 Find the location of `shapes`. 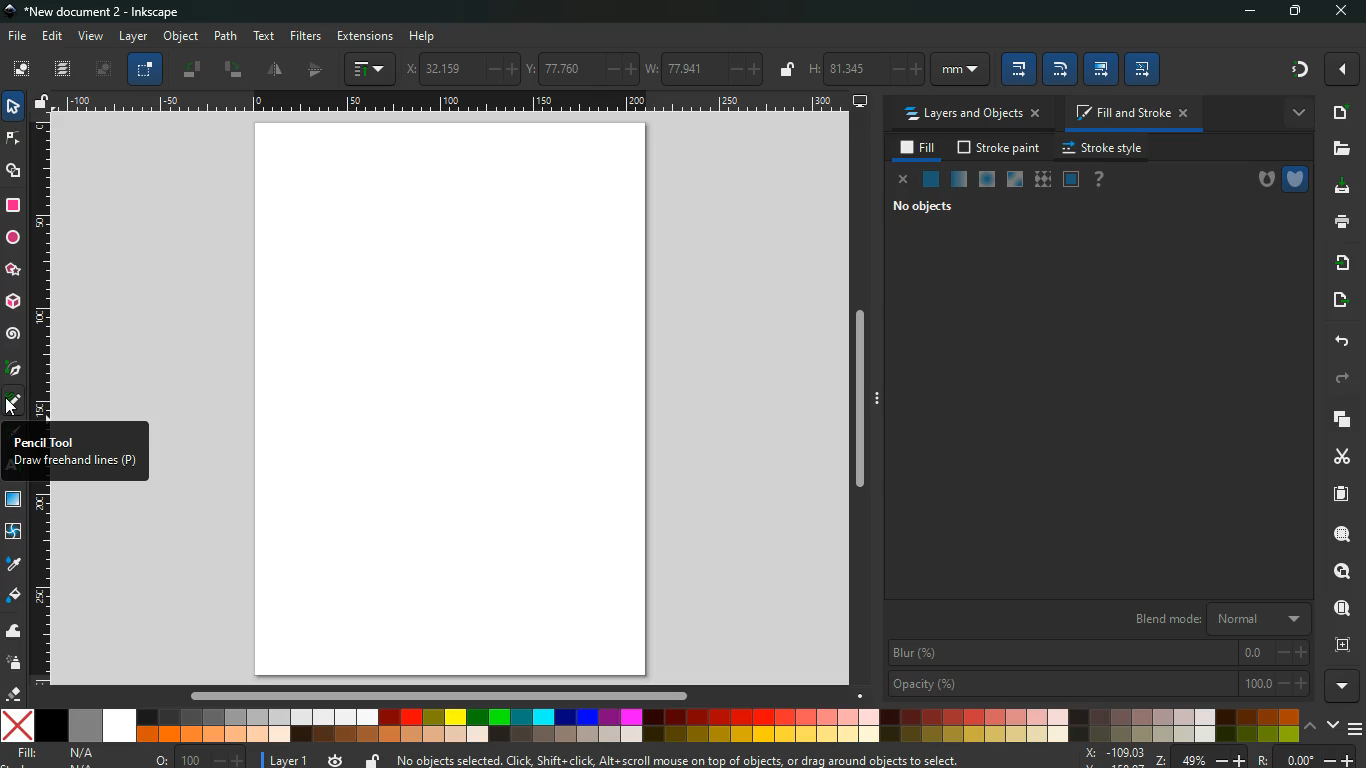

shapes is located at coordinates (15, 173).